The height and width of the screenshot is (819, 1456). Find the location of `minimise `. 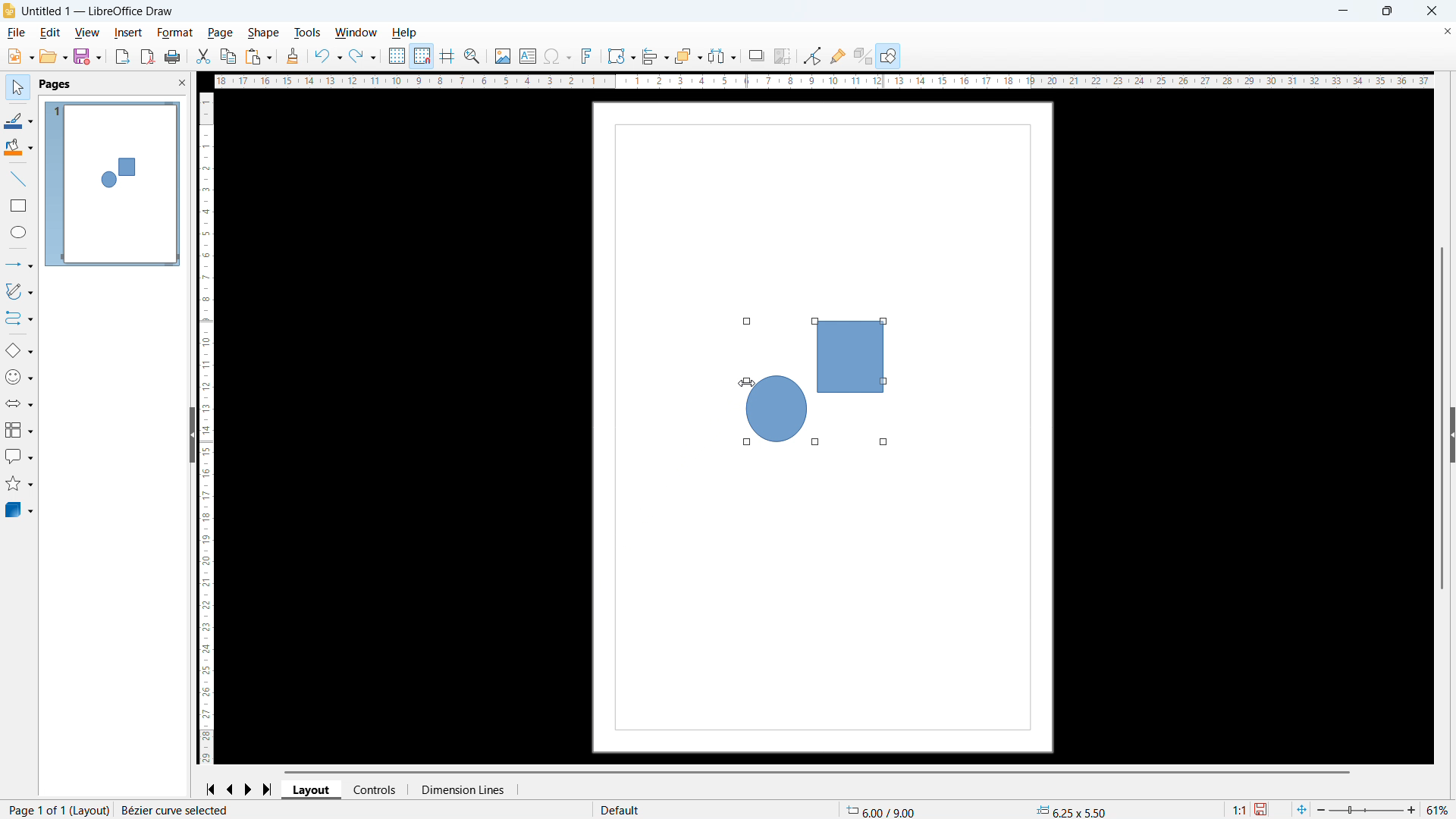

minimise  is located at coordinates (1342, 11).